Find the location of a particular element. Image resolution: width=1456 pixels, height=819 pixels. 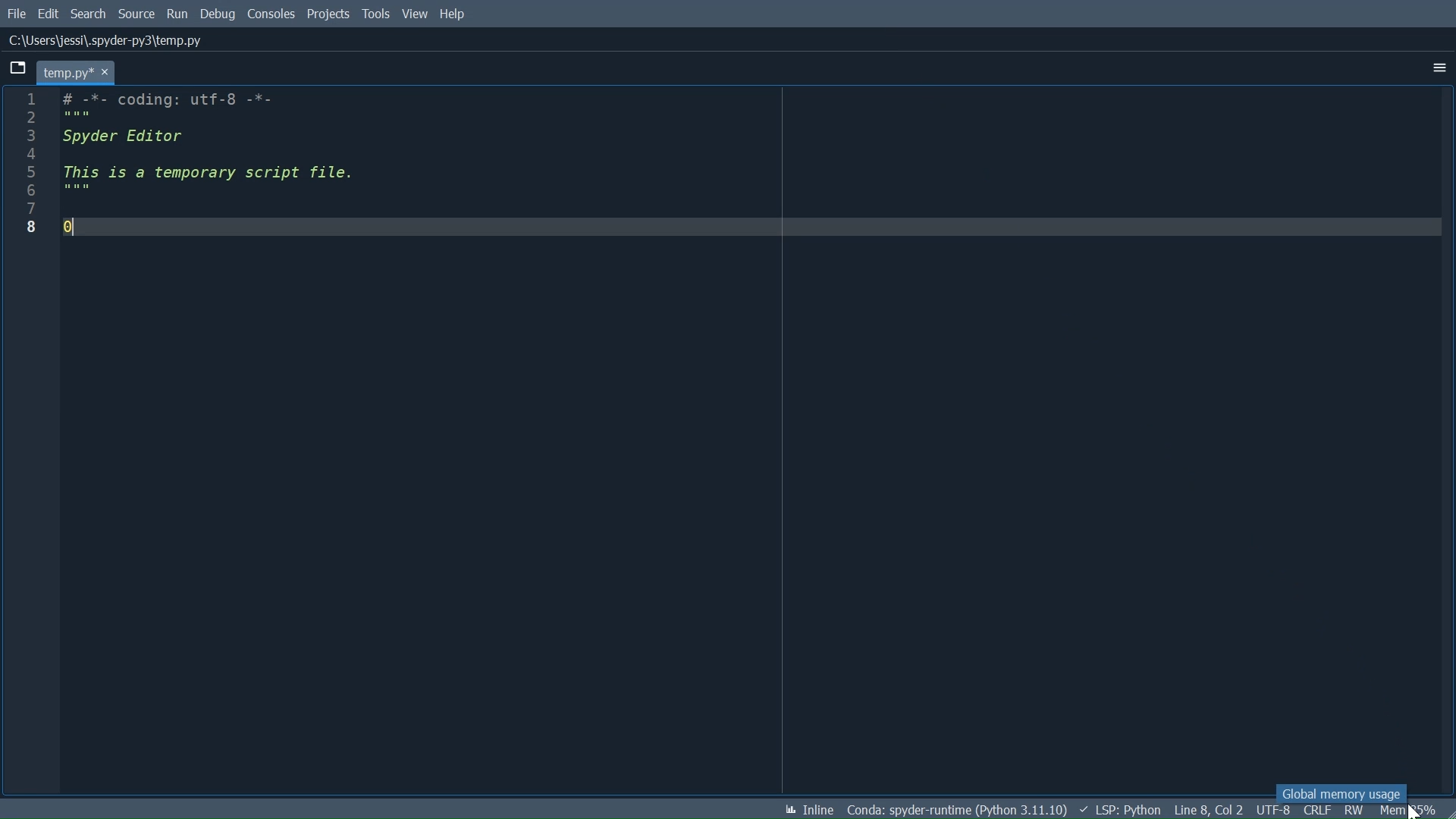

Consoles is located at coordinates (272, 14).